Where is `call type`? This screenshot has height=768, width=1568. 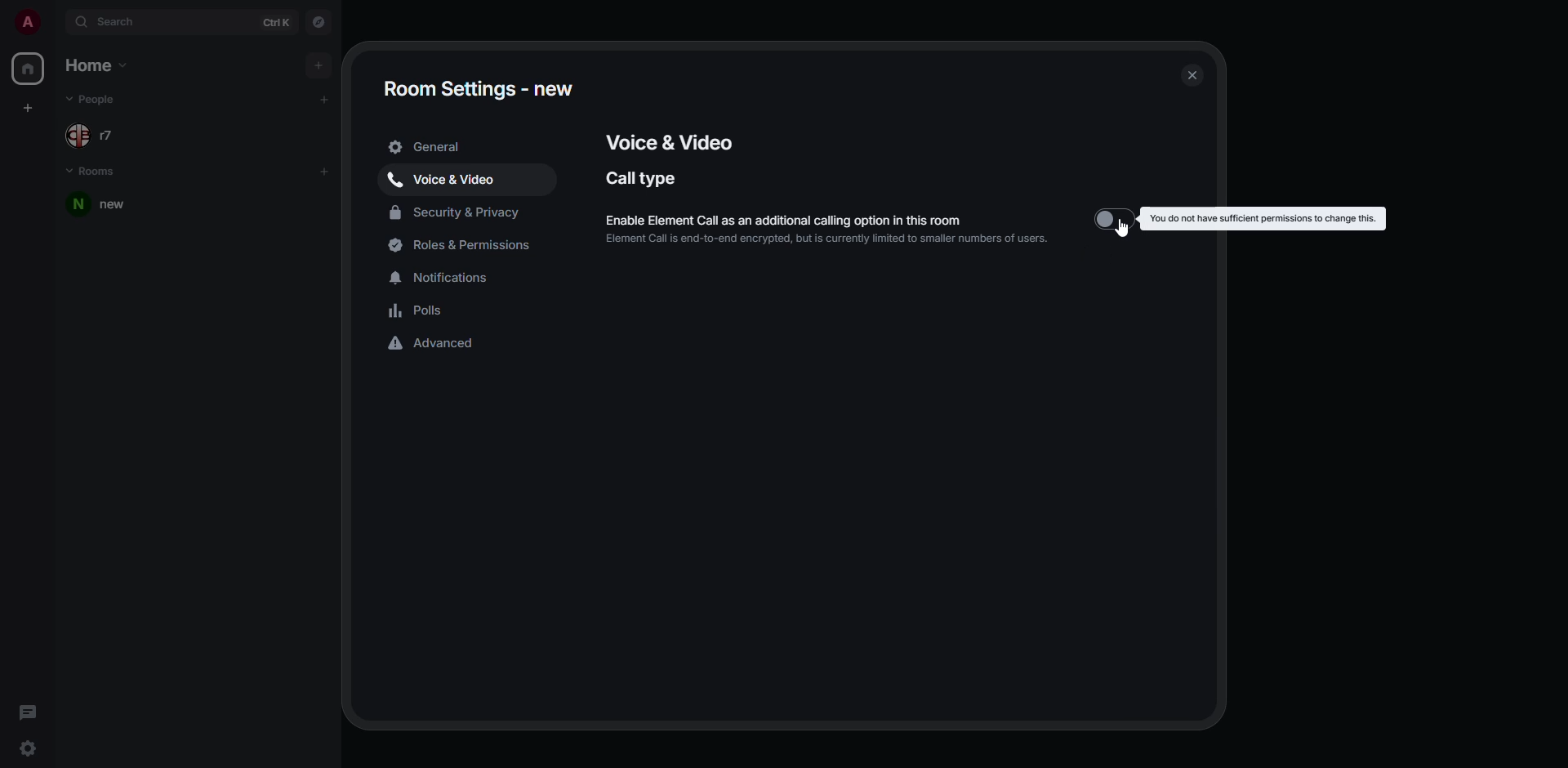 call type is located at coordinates (644, 178).